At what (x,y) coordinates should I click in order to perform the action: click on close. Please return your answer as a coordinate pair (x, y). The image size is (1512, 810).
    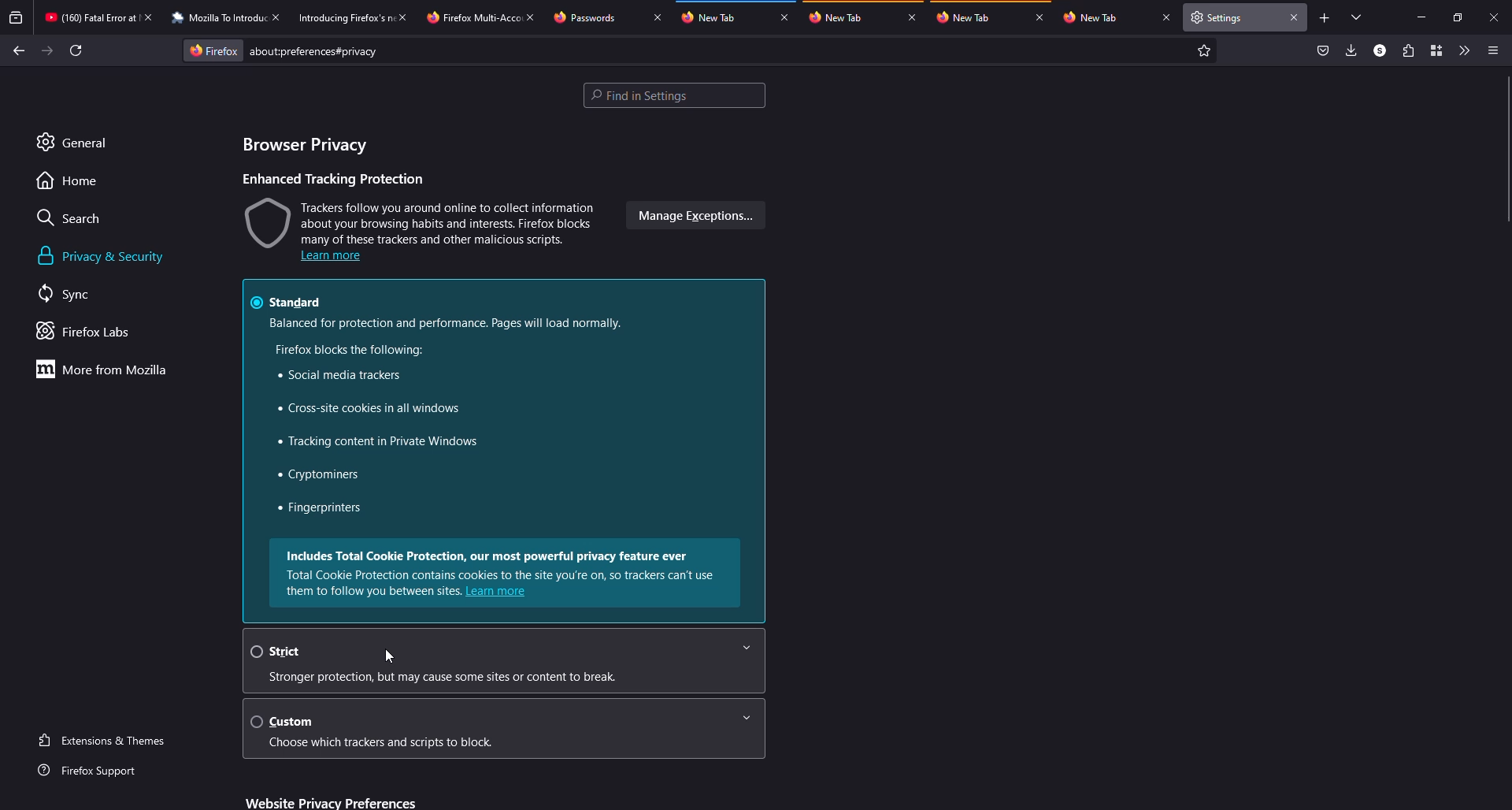
    Looking at the image, I should click on (1495, 17).